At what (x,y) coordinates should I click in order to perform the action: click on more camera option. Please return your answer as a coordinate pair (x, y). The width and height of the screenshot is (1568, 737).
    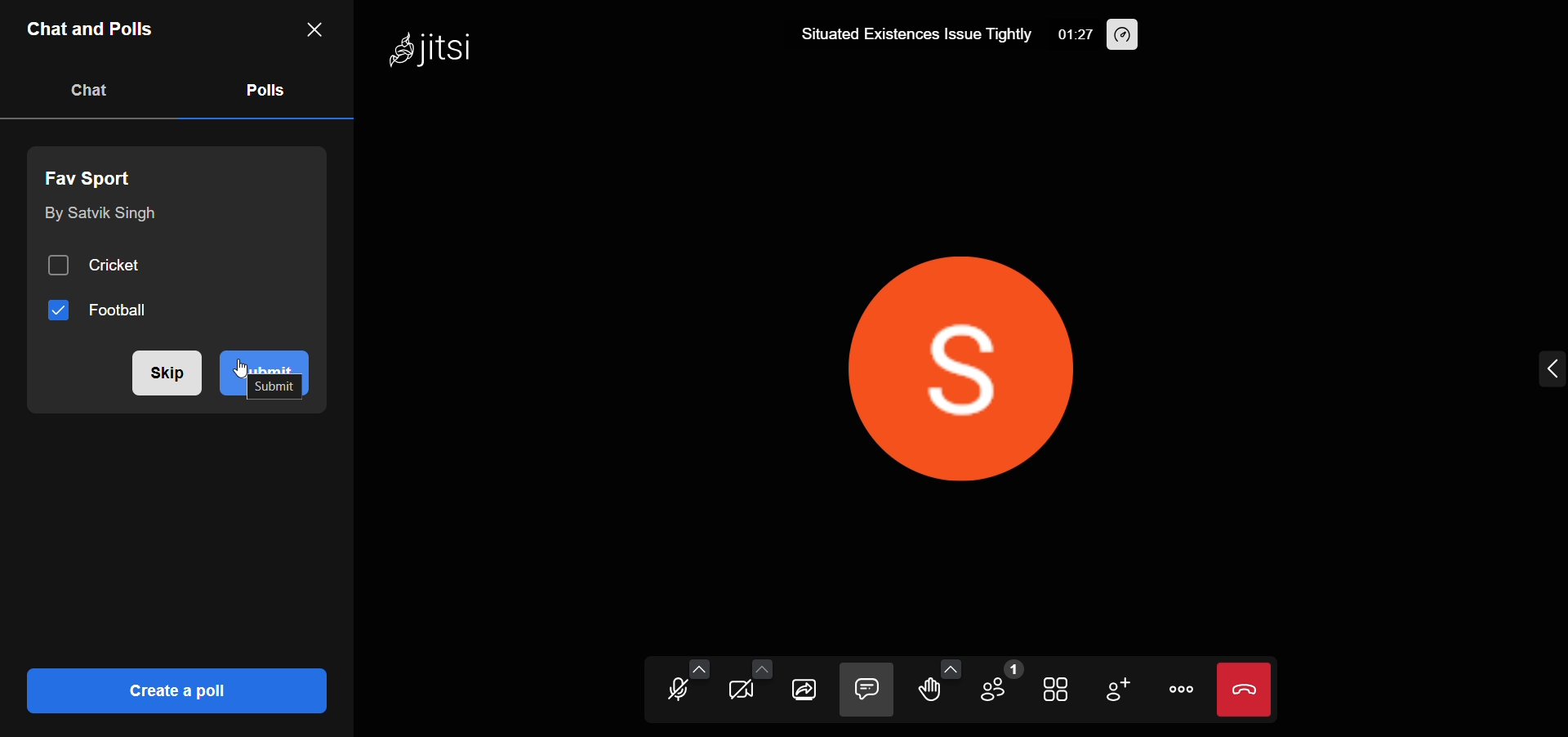
    Looking at the image, I should click on (759, 667).